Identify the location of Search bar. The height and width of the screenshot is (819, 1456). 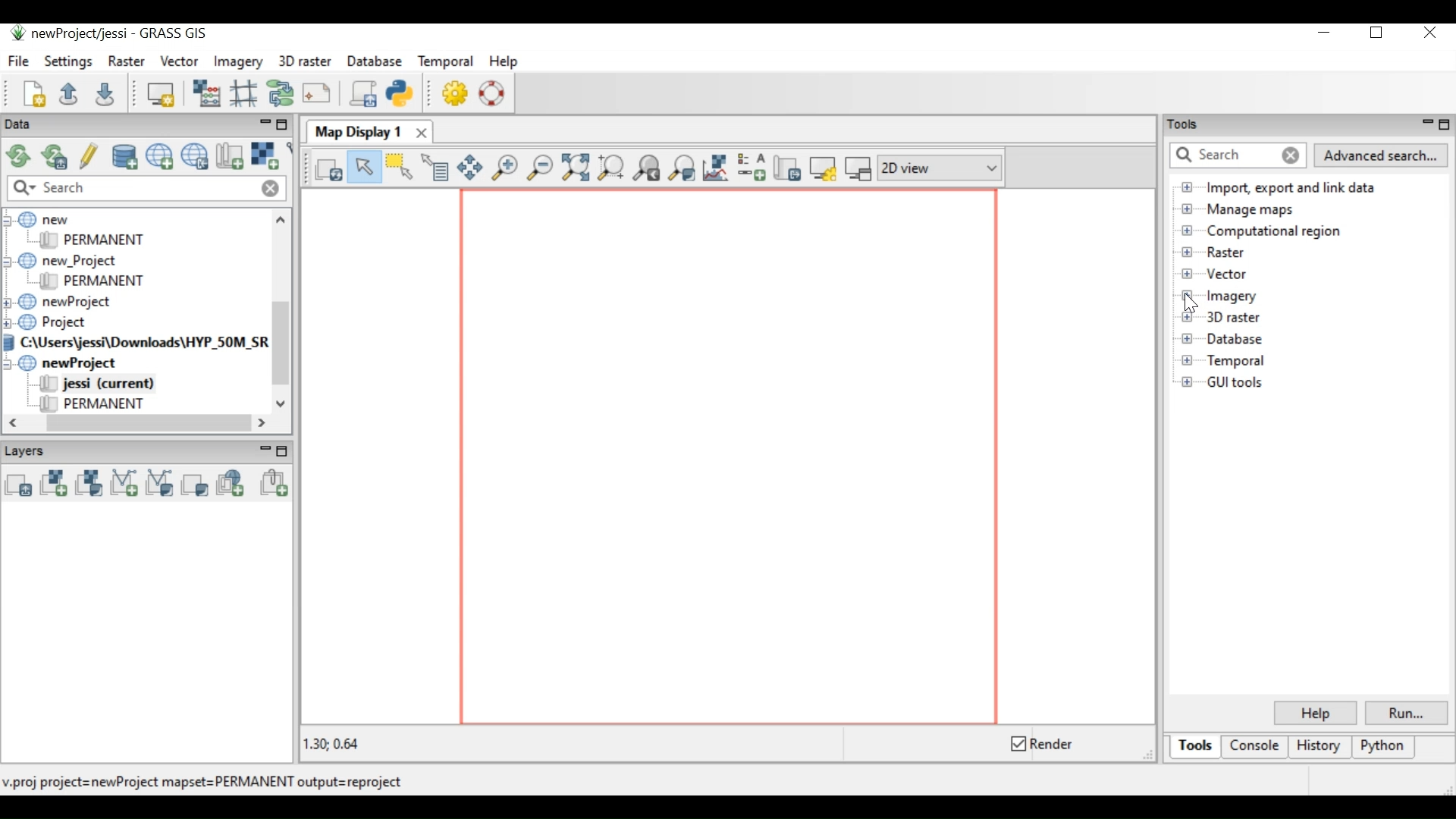
(146, 188).